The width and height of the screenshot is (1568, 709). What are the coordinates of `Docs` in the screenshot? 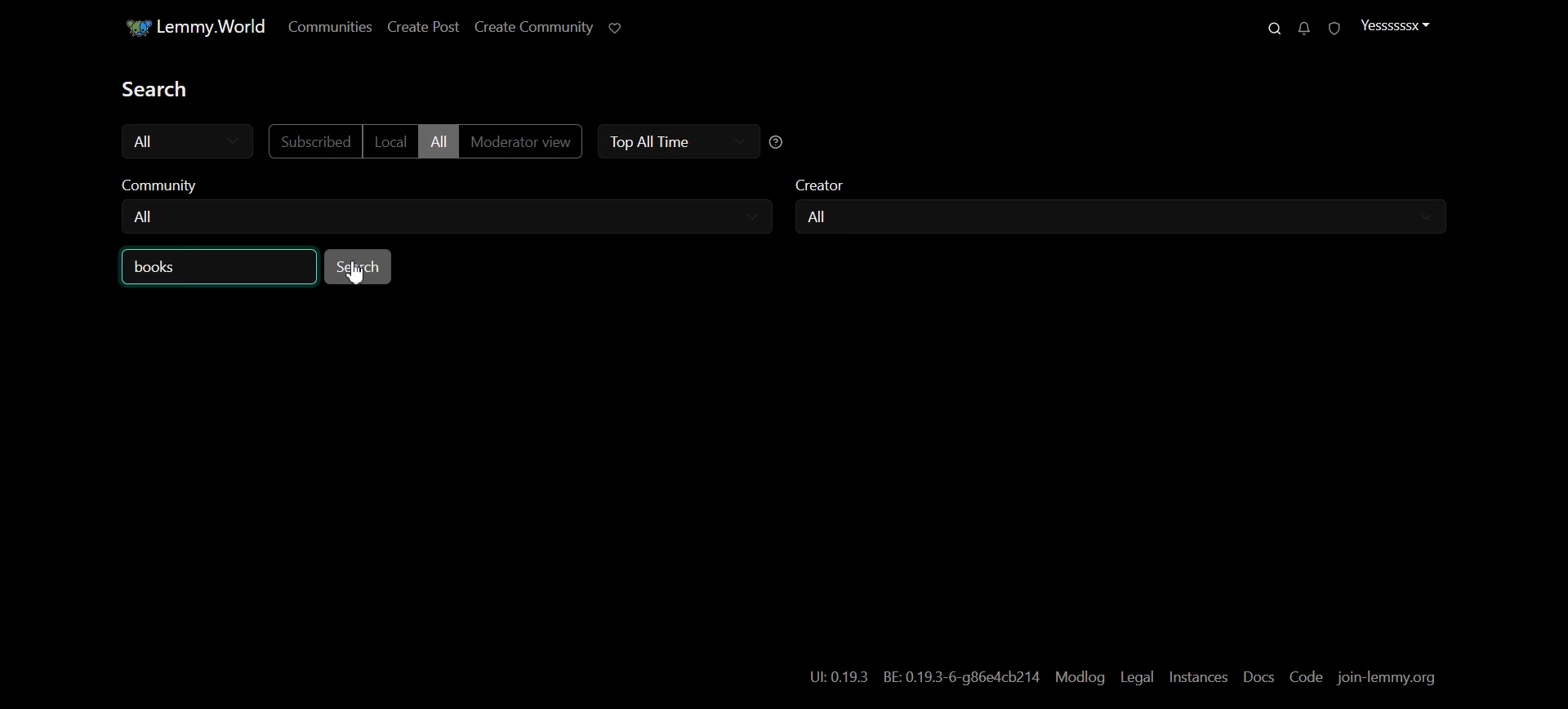 It's located at (1258, 677).